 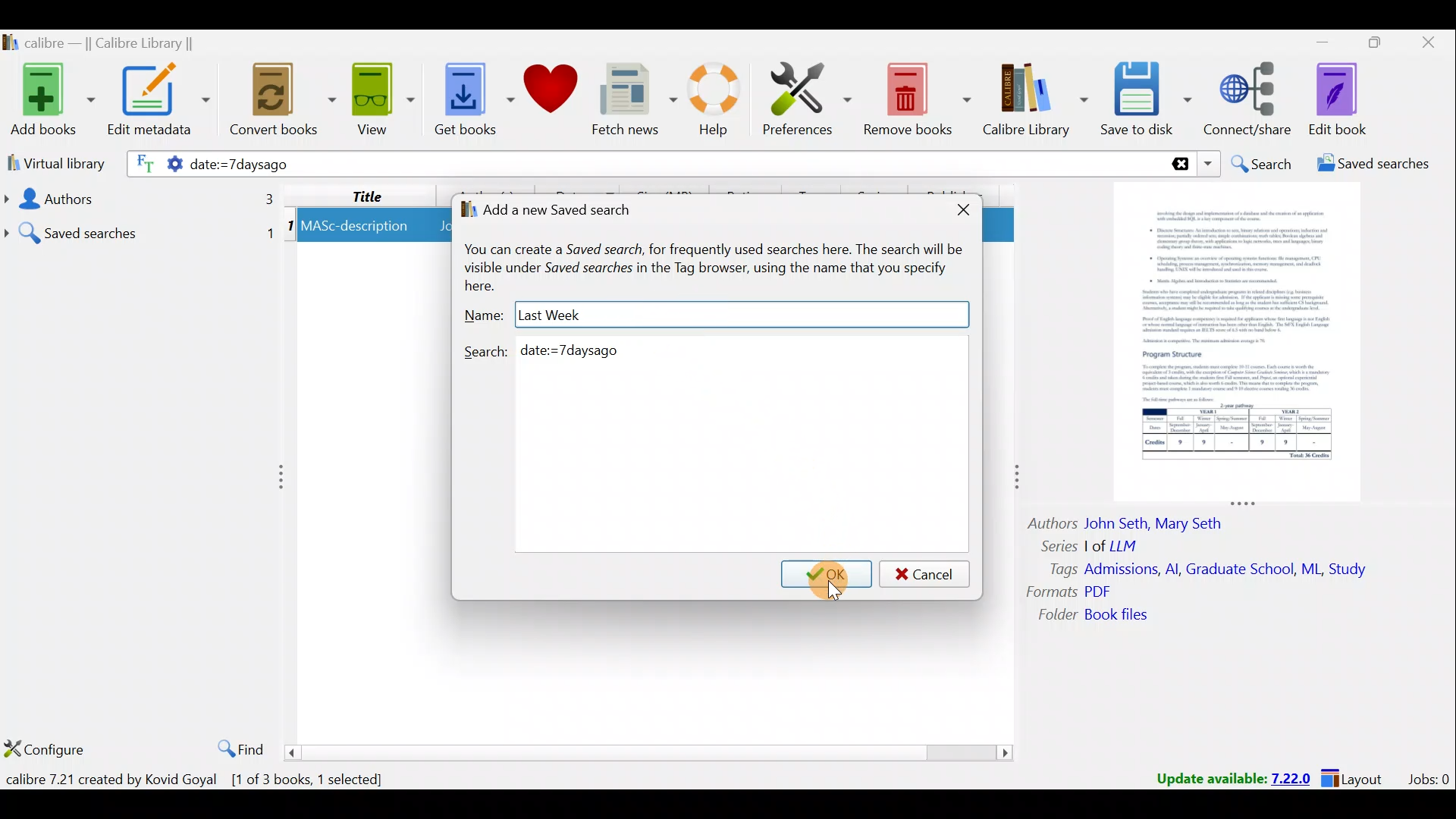 What do you see at coordinates (883, 163) in the screenshot?
I see `Search bar` at bounding box center [883, 163].